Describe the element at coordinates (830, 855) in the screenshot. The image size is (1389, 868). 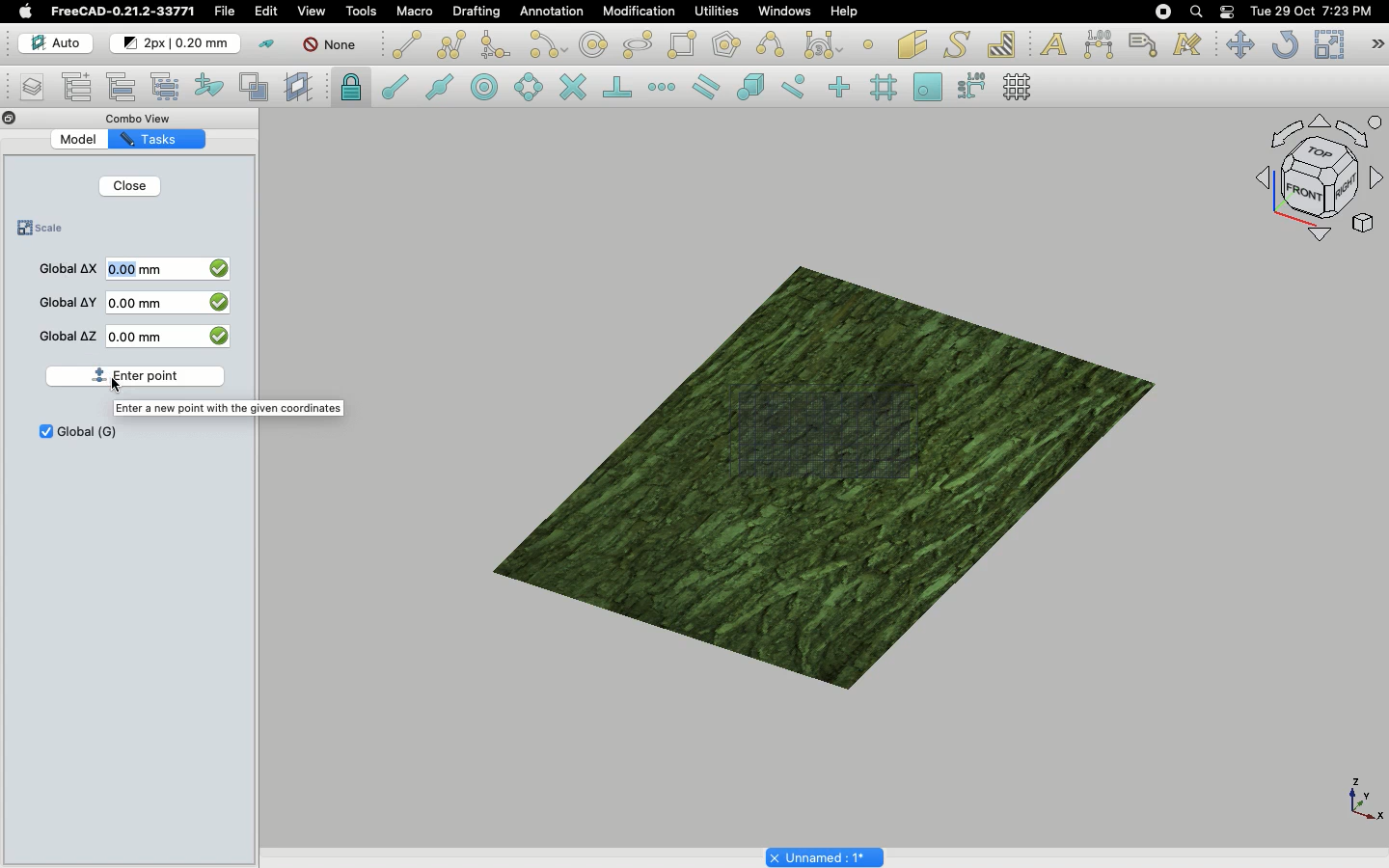
I see `Untitled` at that location.